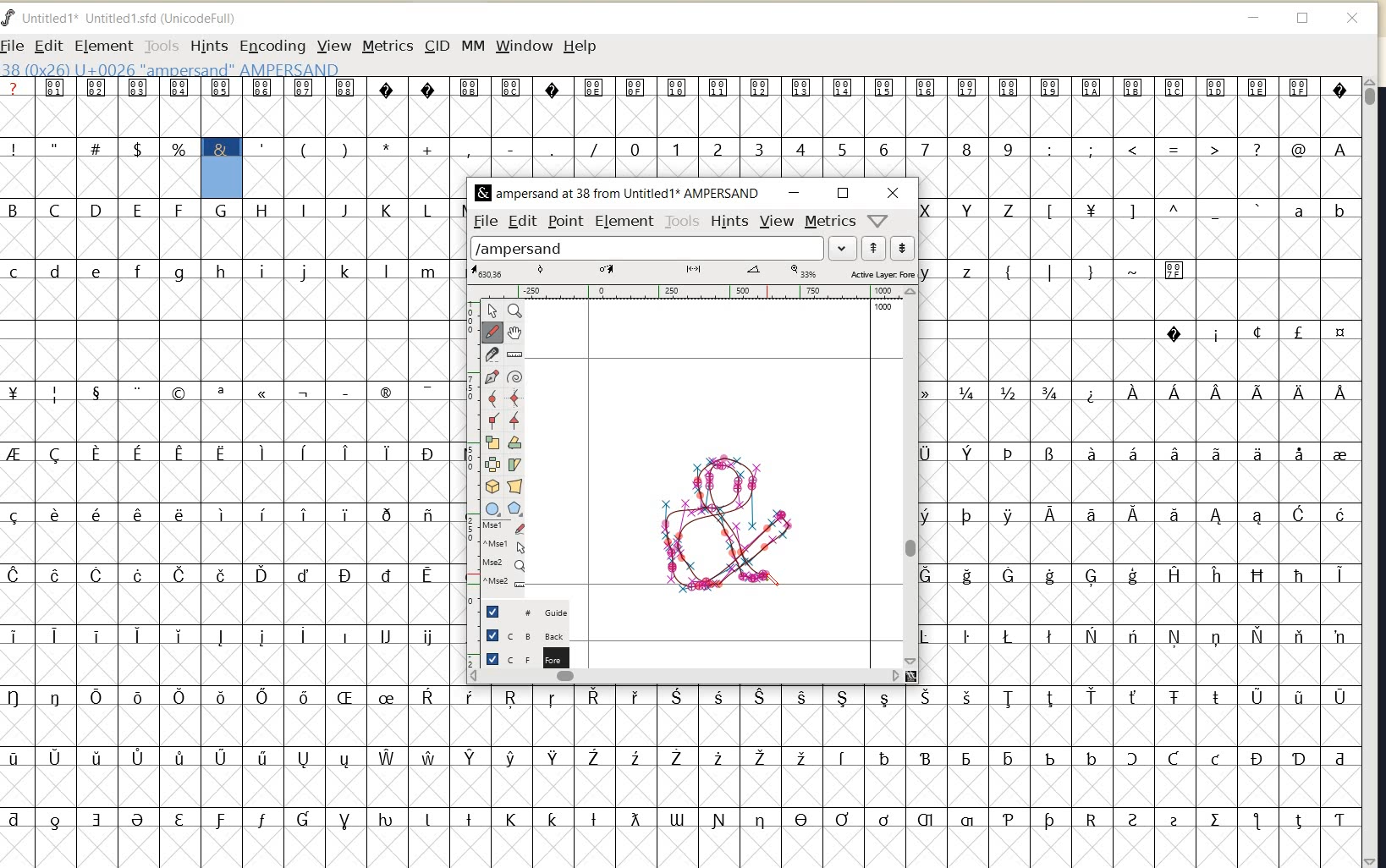 The width and height of the screenshot is (1386, 868). What do you see at coordinates (486, 220) in the screenshot?
I see `FILE` at bounding box center [486, 220].